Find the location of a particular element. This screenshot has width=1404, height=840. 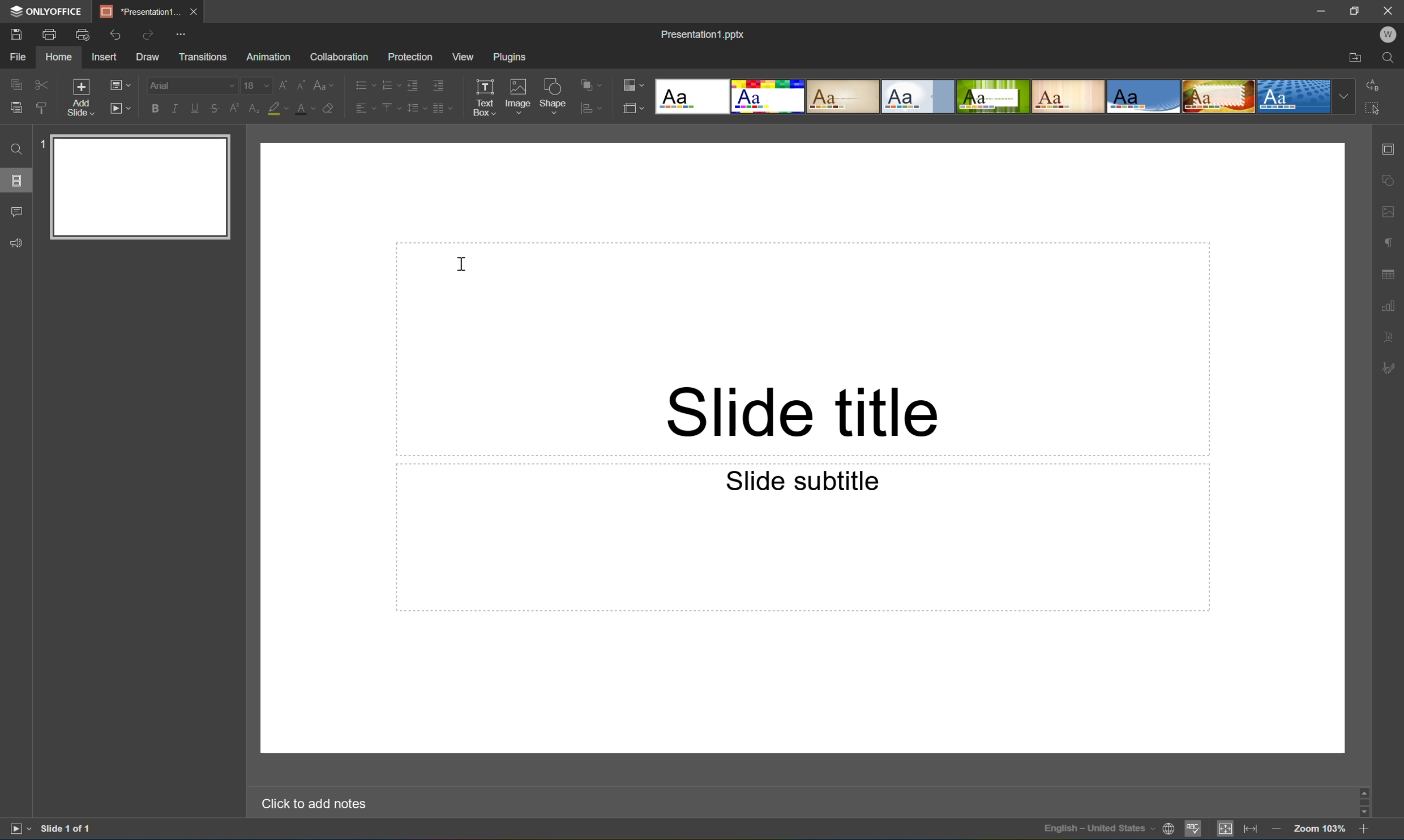

Numebring is located at coordinates (392, 84).